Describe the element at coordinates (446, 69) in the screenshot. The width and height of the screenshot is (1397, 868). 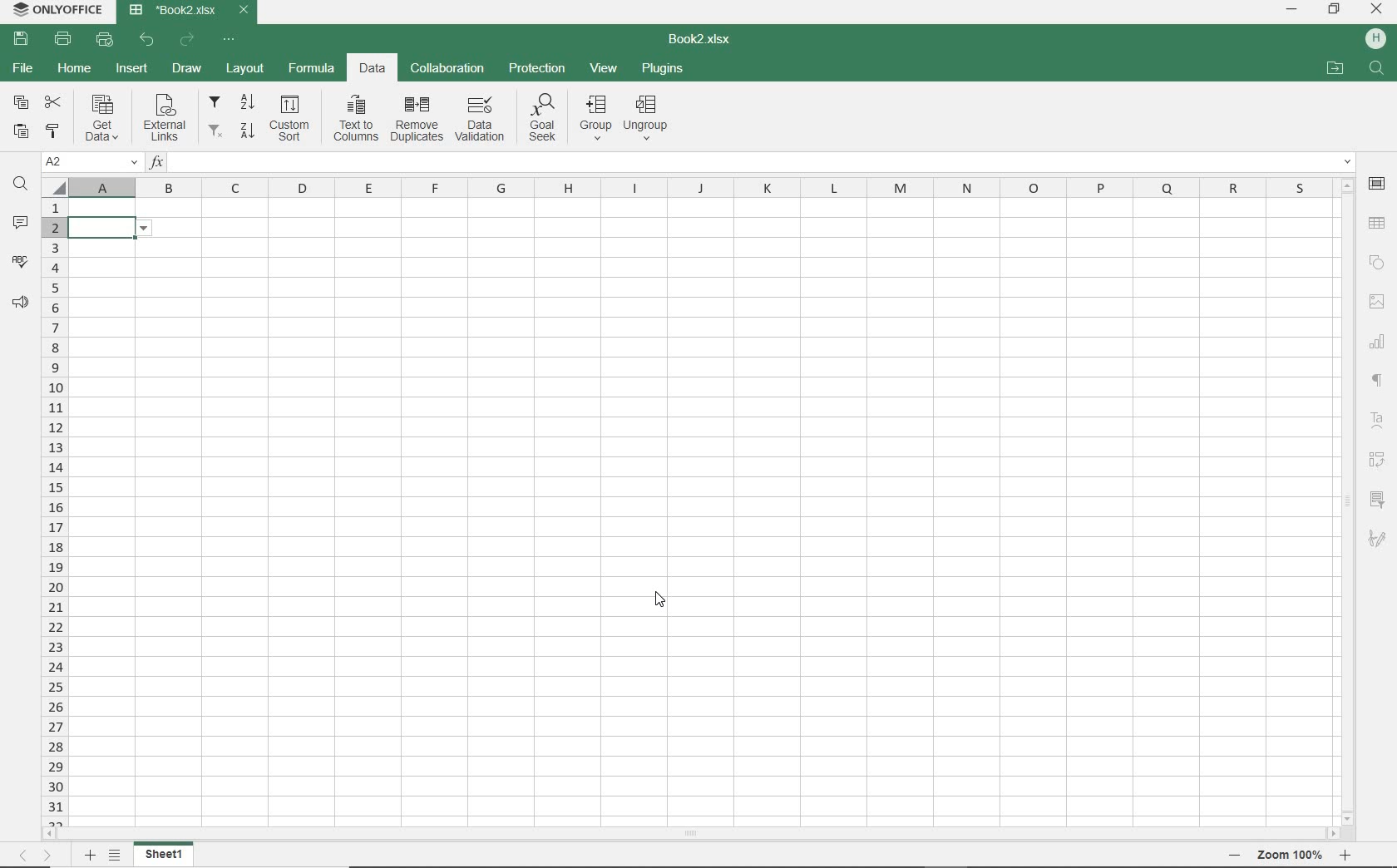
I see `COLLABORATION` at that location.